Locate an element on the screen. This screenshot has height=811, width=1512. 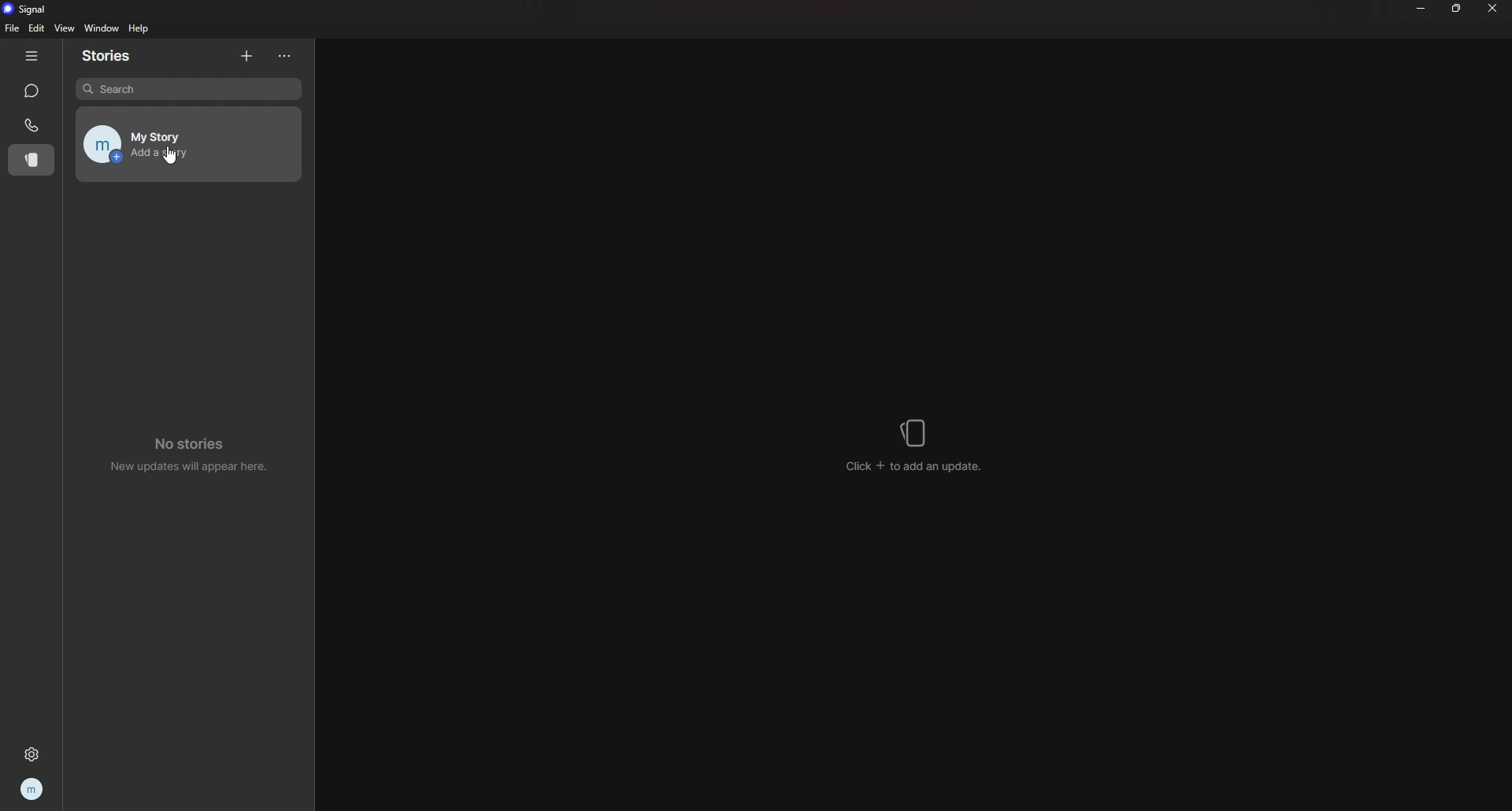
no stories new updates will appear here is located at coordinates (196, 451).